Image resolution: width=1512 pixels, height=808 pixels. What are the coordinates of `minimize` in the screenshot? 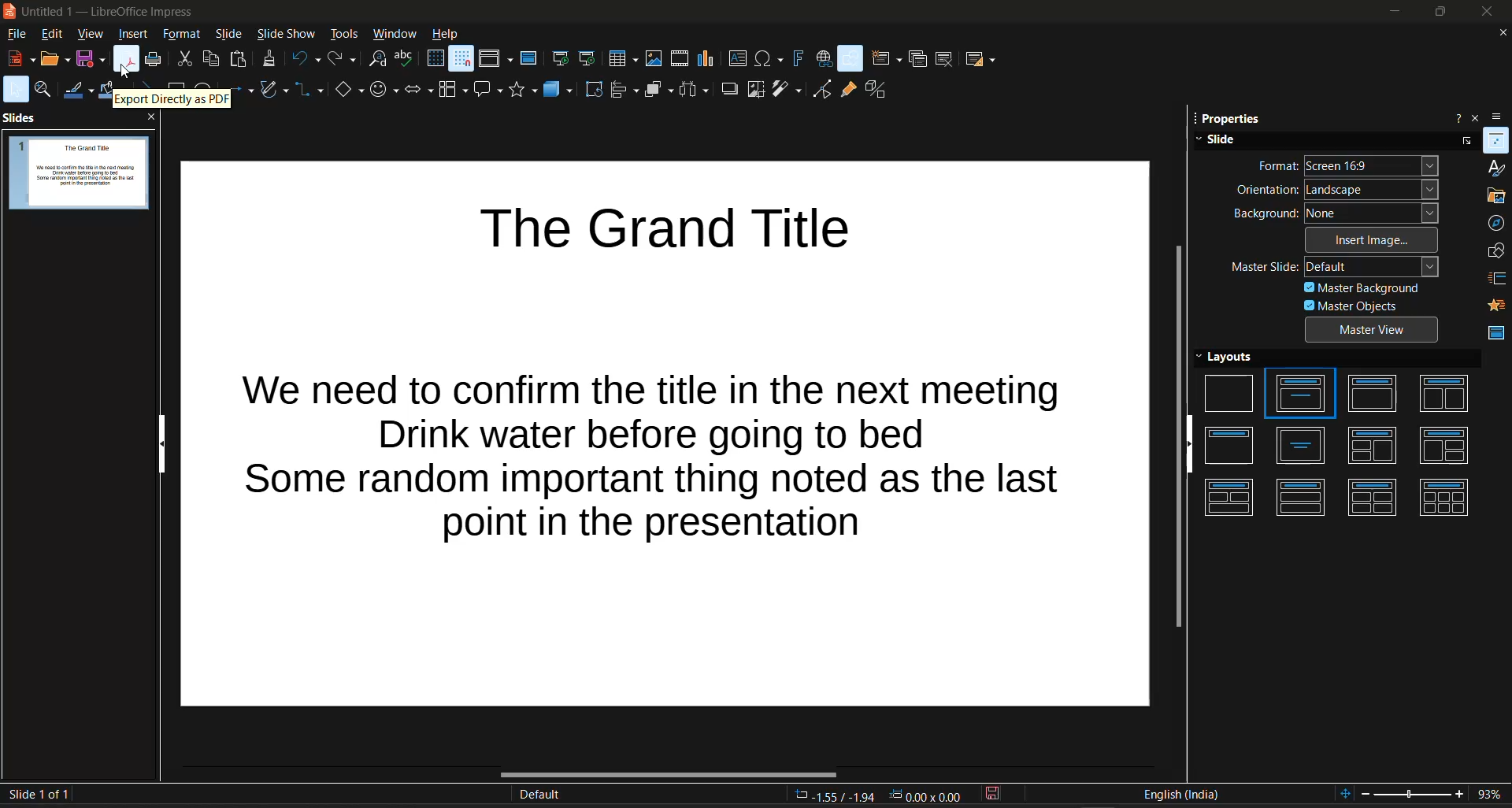 It's located at (1393, 12).